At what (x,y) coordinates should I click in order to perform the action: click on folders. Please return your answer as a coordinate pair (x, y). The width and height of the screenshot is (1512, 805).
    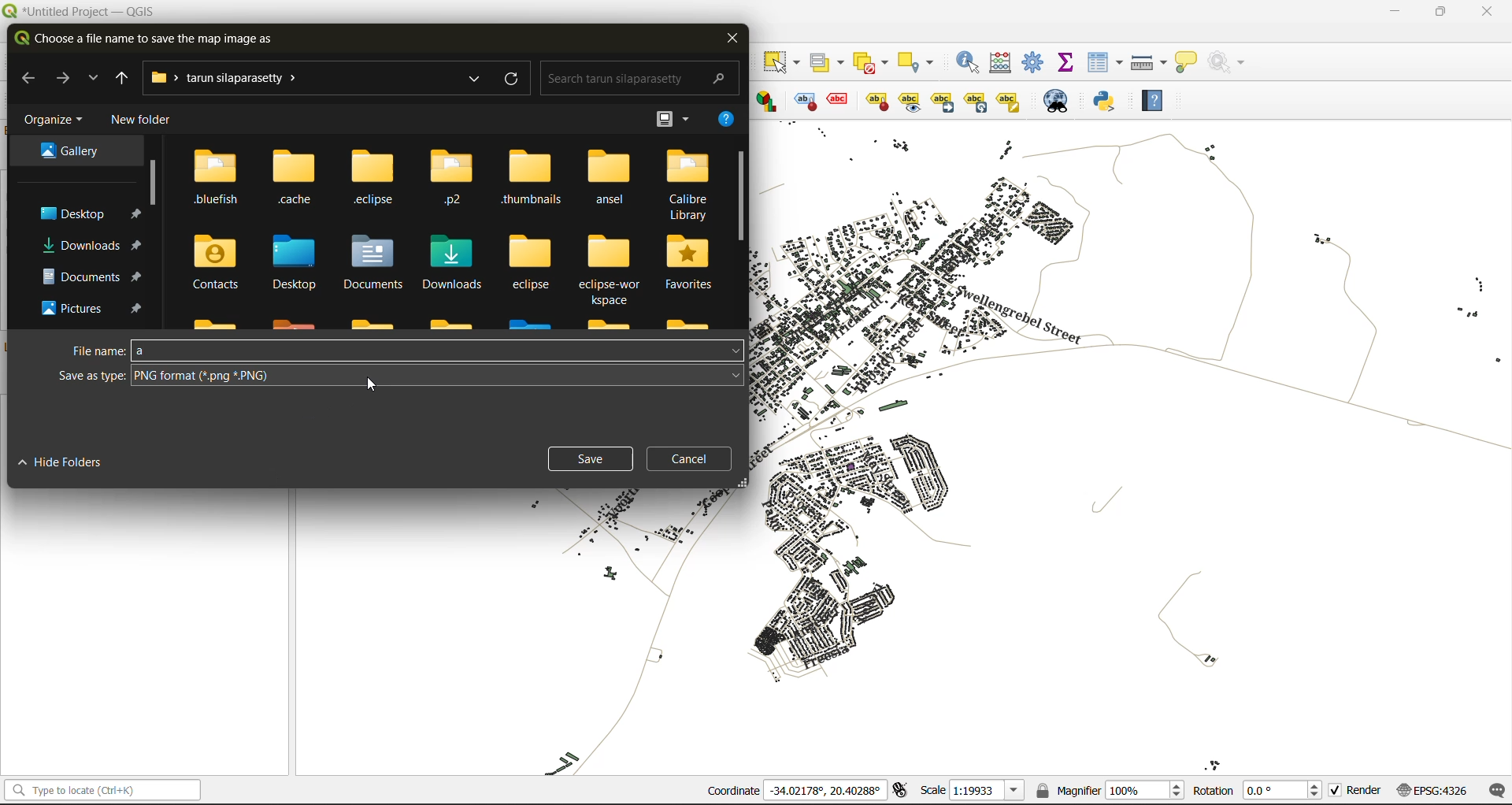
    Looking at the image, I should click on (76, 227).